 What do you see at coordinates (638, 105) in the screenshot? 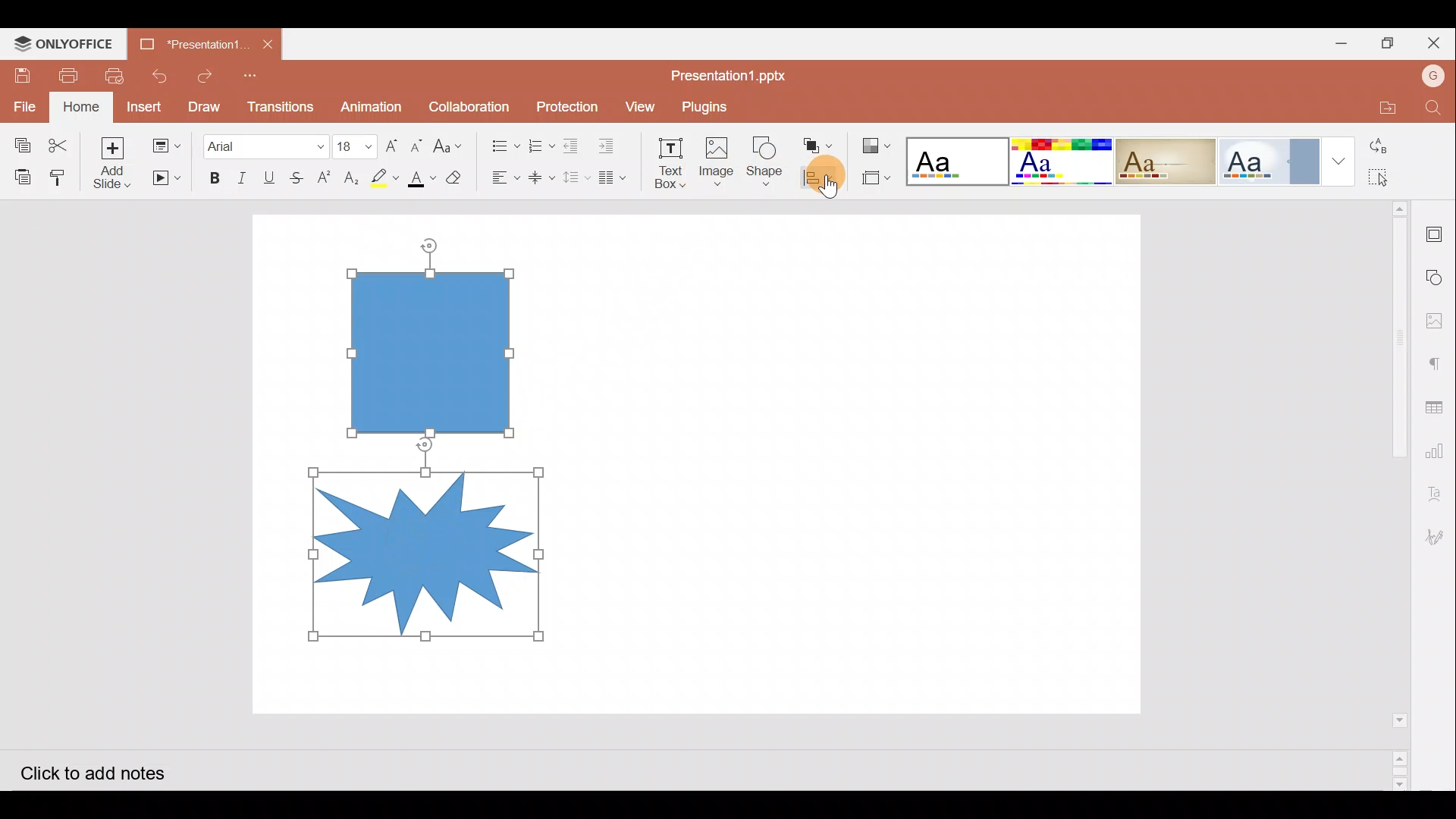
I see `View` at bounding box center [638, 105].